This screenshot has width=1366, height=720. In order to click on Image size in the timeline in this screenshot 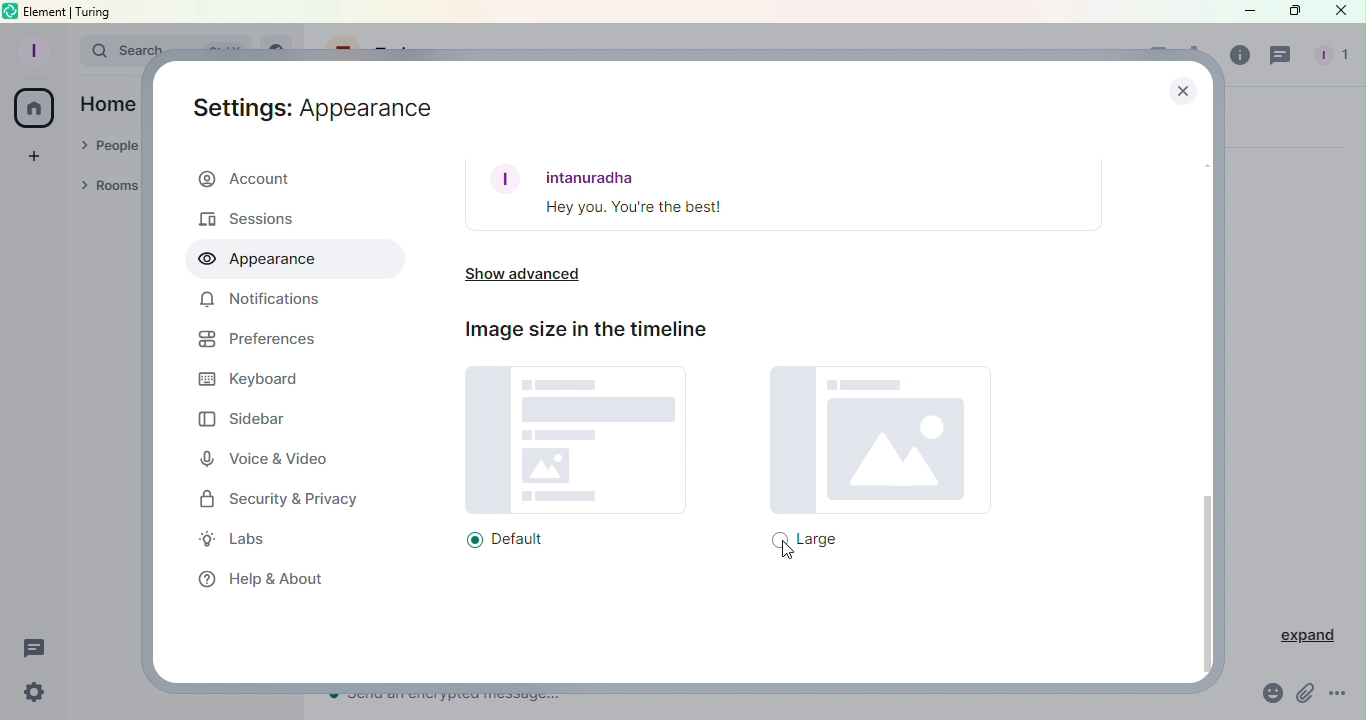, I will do `click(583, 329)`.